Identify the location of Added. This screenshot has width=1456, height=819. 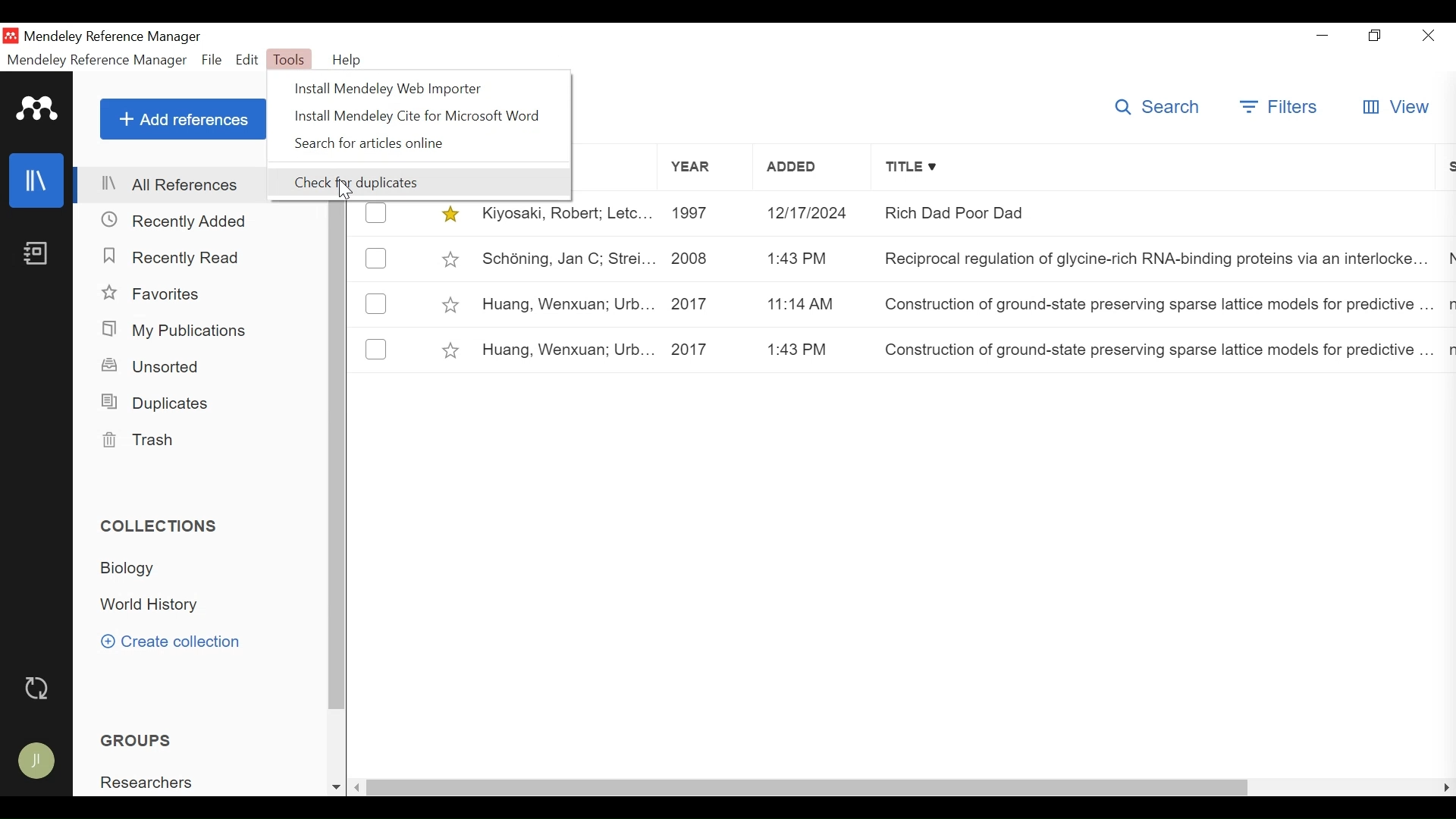
(807, 168).